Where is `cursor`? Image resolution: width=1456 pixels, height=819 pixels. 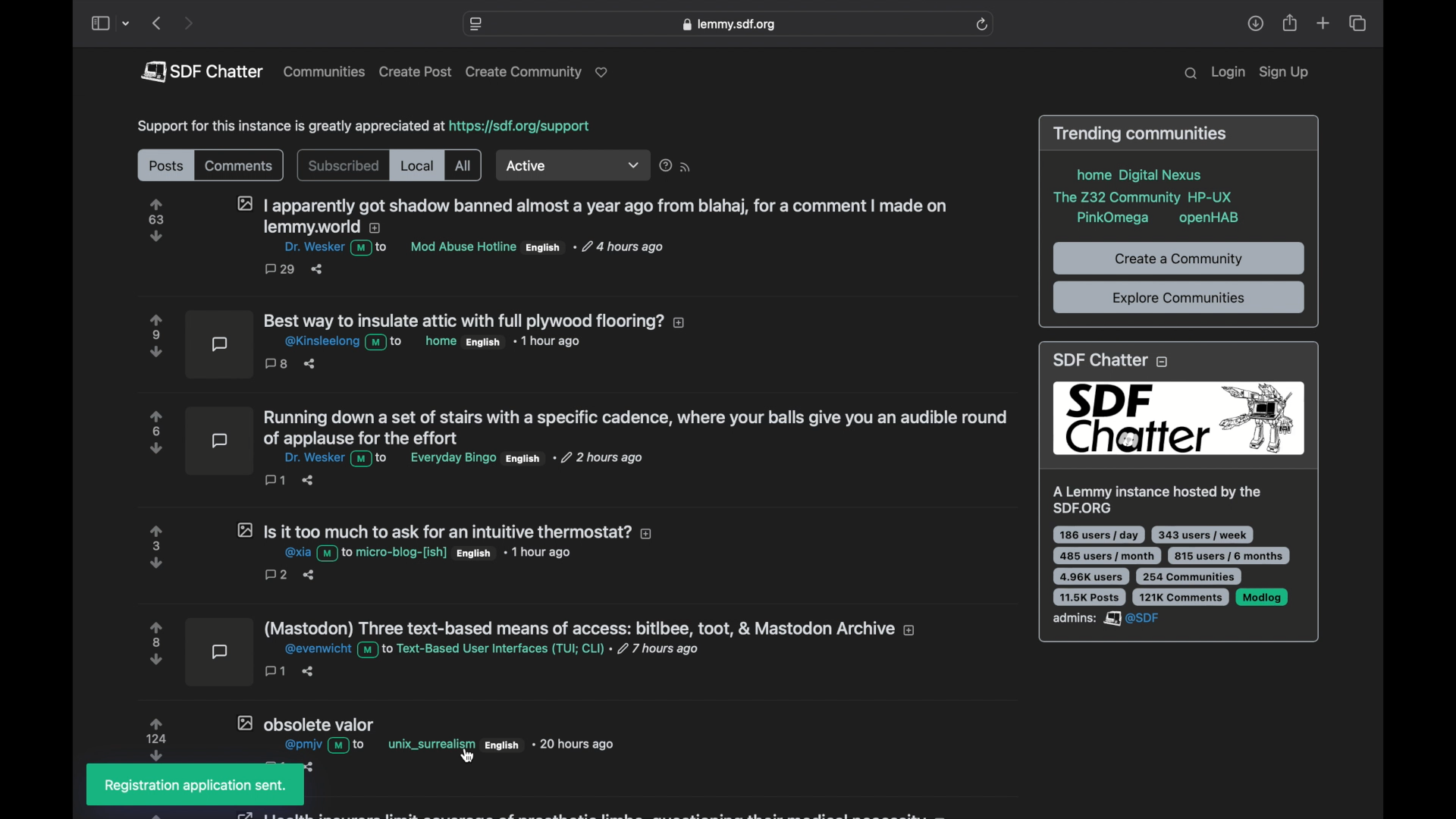
cursor is located at coordinates (468, 755).